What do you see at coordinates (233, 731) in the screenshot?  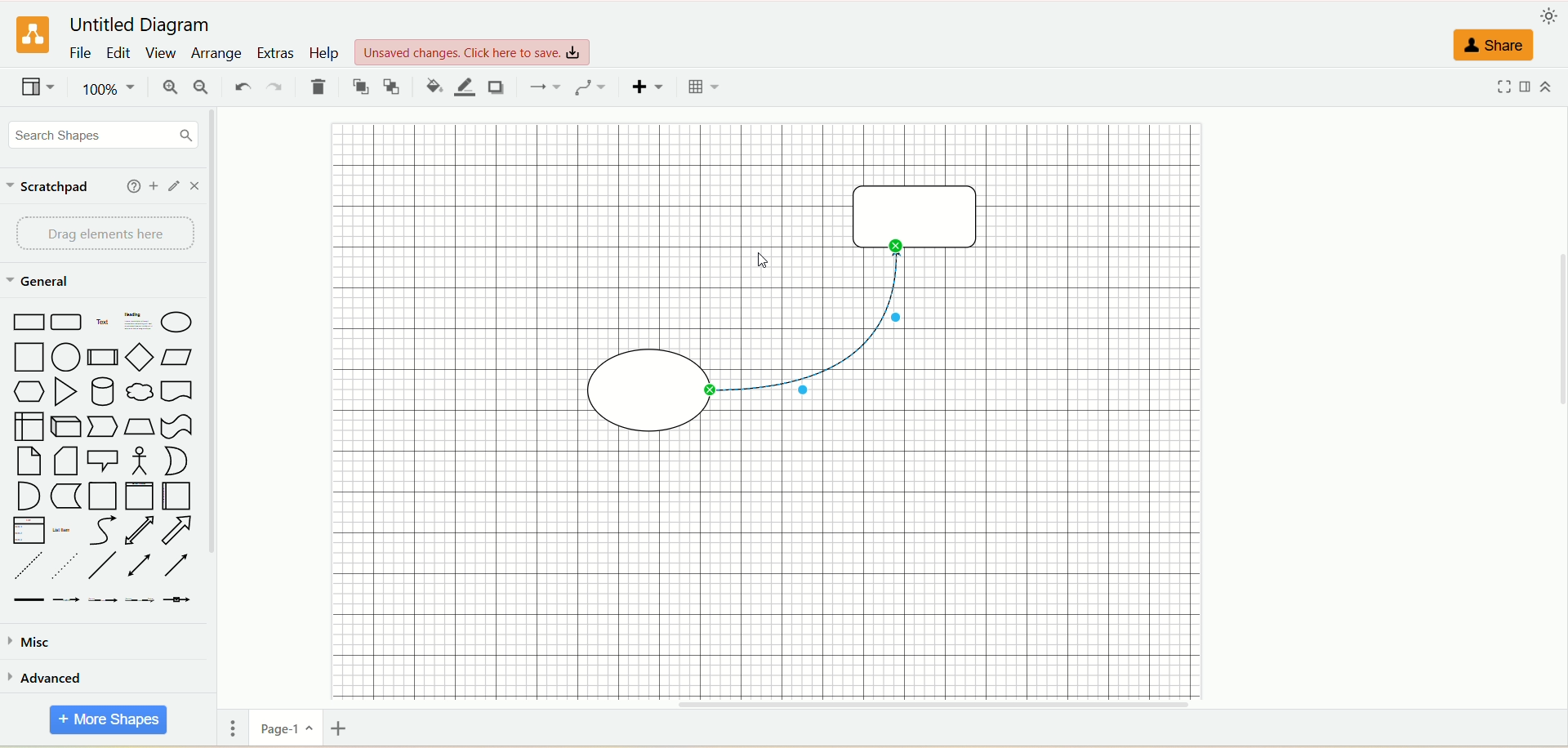 I see `pages` at bounding box center [233, 731].